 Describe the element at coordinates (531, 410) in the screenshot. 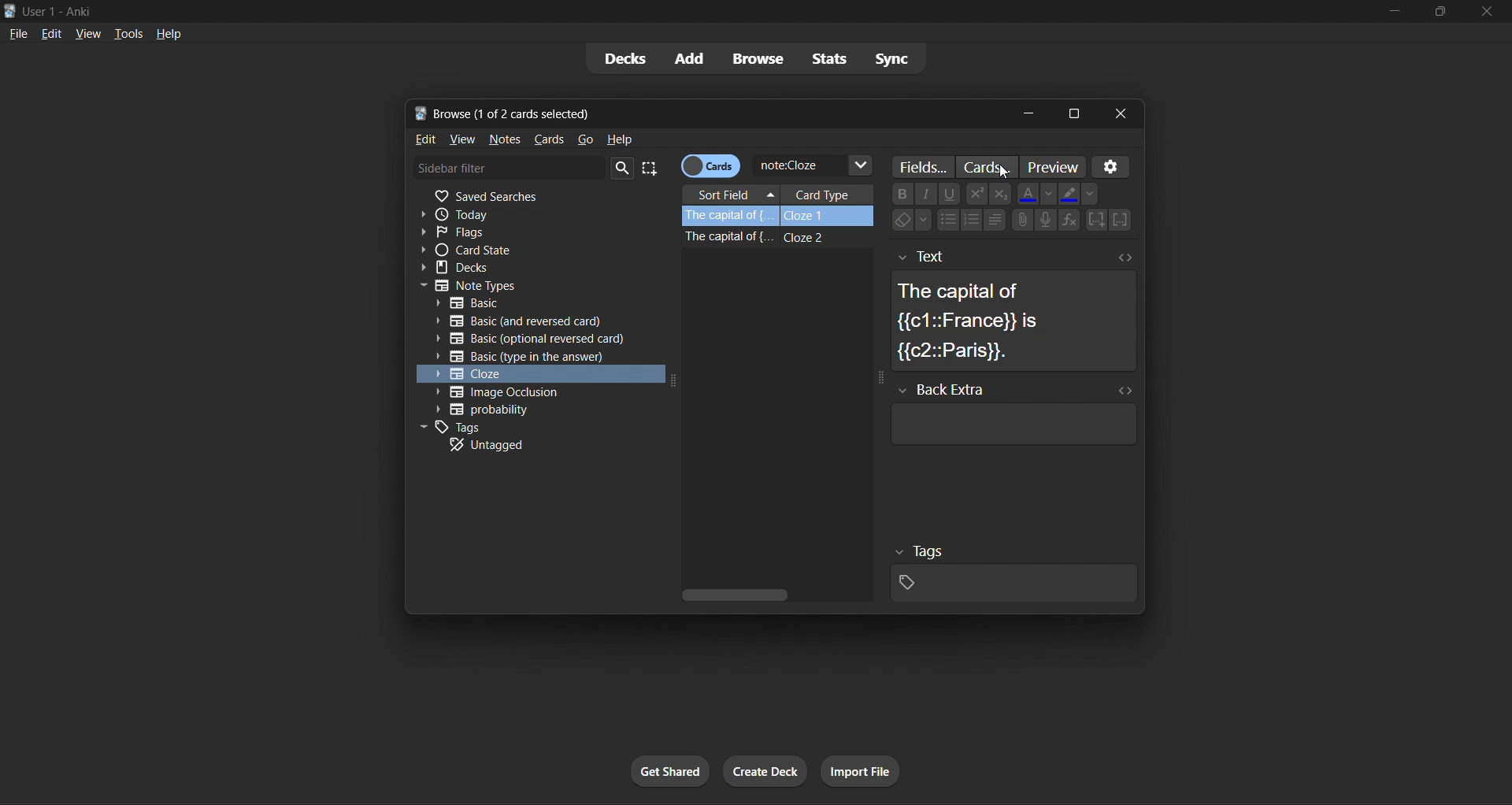

I see `probability filter` at that location.